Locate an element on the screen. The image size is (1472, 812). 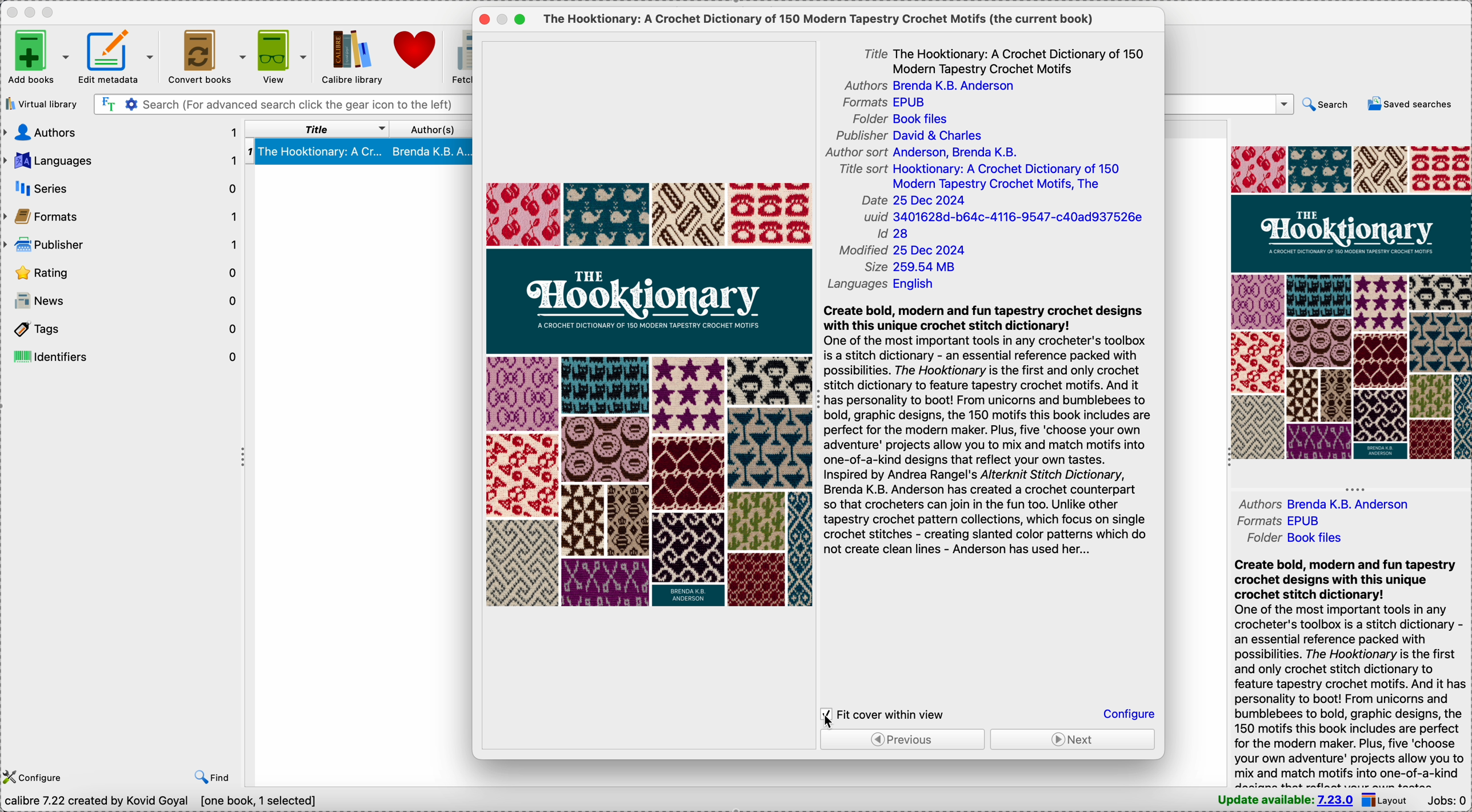
donate is located at coordinates (412, 51).